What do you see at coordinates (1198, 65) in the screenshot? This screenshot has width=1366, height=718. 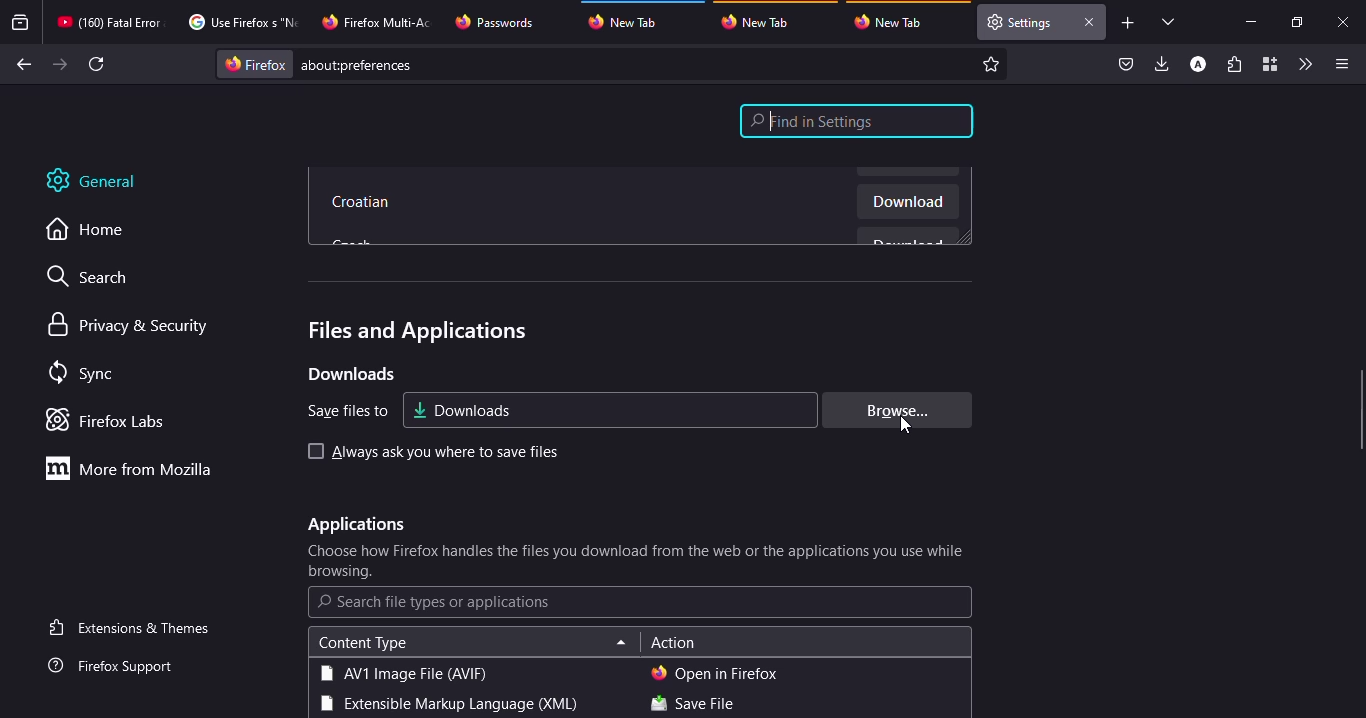 I see `account` at bounding box center [1198, 65].